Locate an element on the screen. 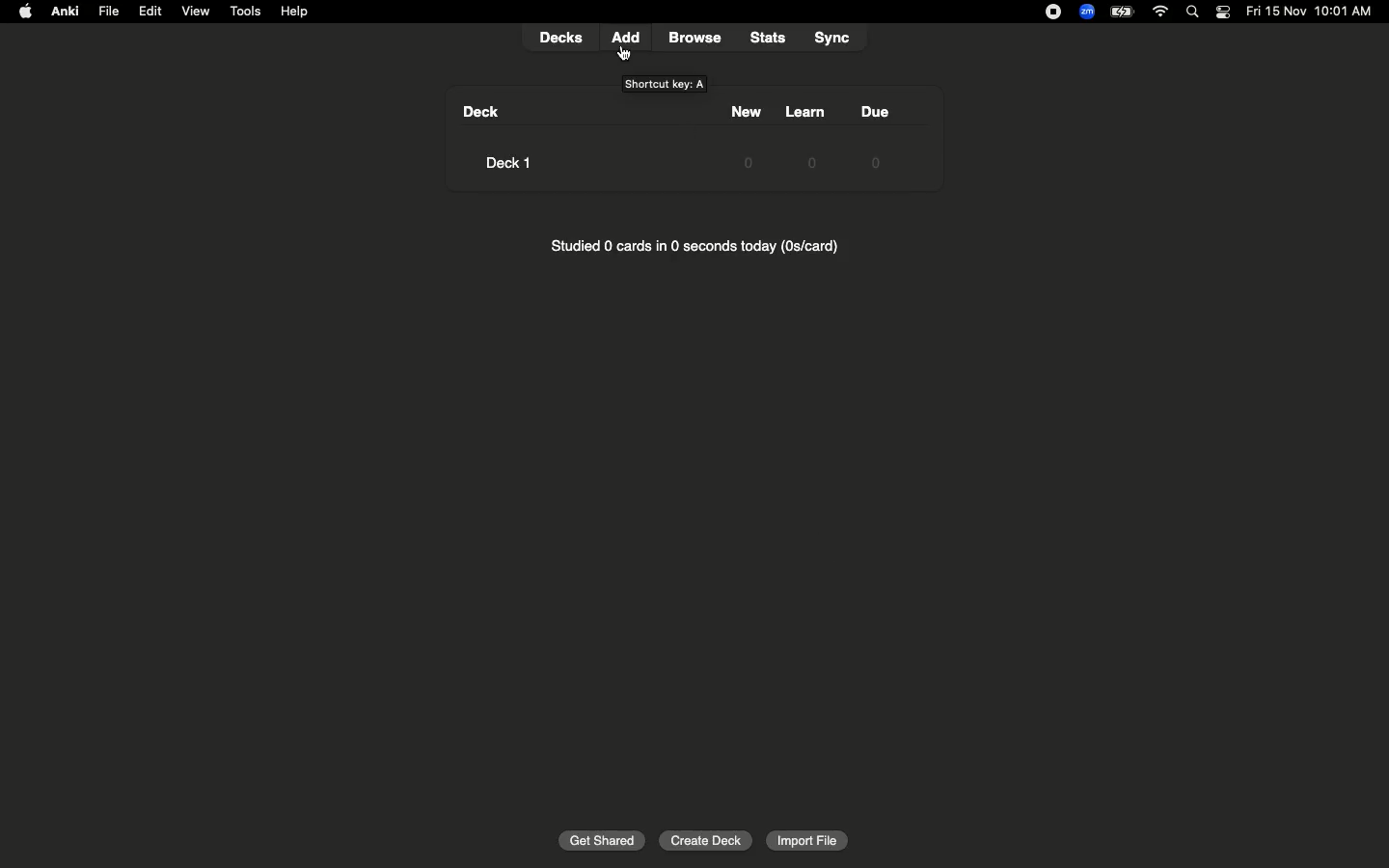 This screenshot has width=1389, height=868. Tools is located at coordinates (244, 12).